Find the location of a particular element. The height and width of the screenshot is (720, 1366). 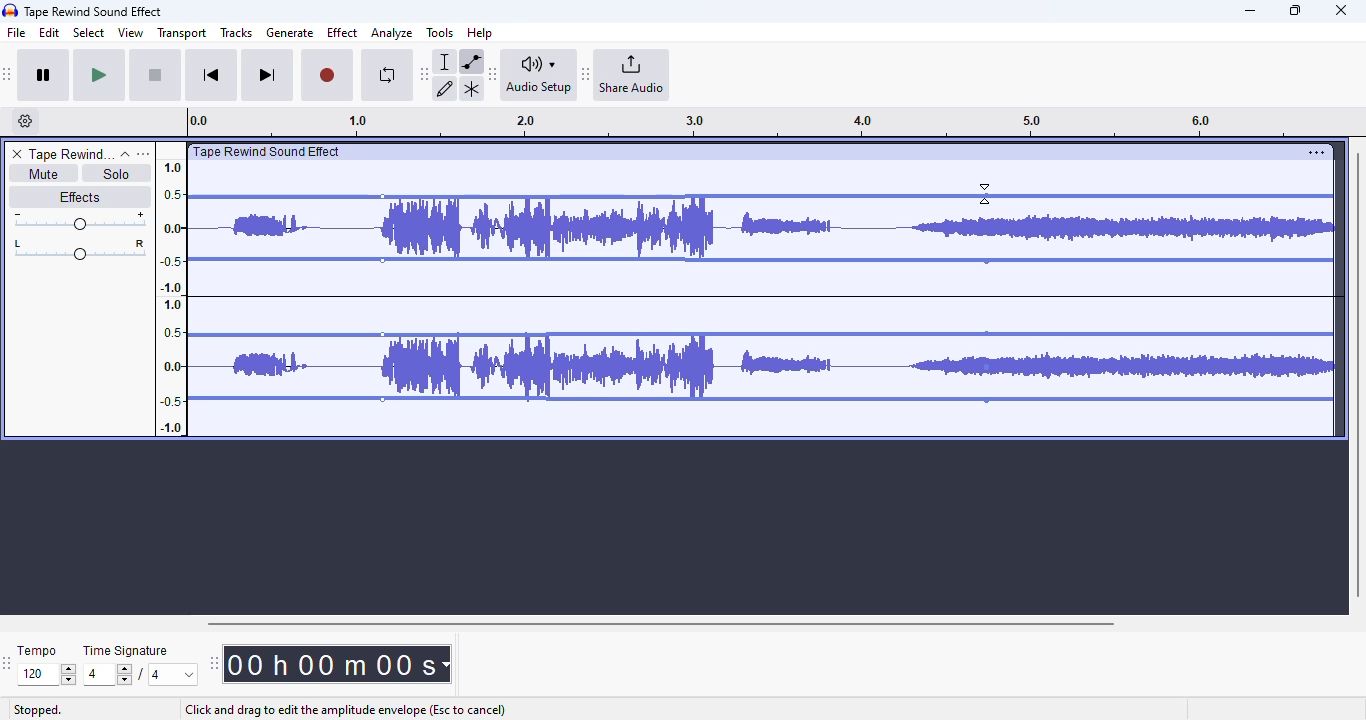

Control point is located at coordinates (987, 400).